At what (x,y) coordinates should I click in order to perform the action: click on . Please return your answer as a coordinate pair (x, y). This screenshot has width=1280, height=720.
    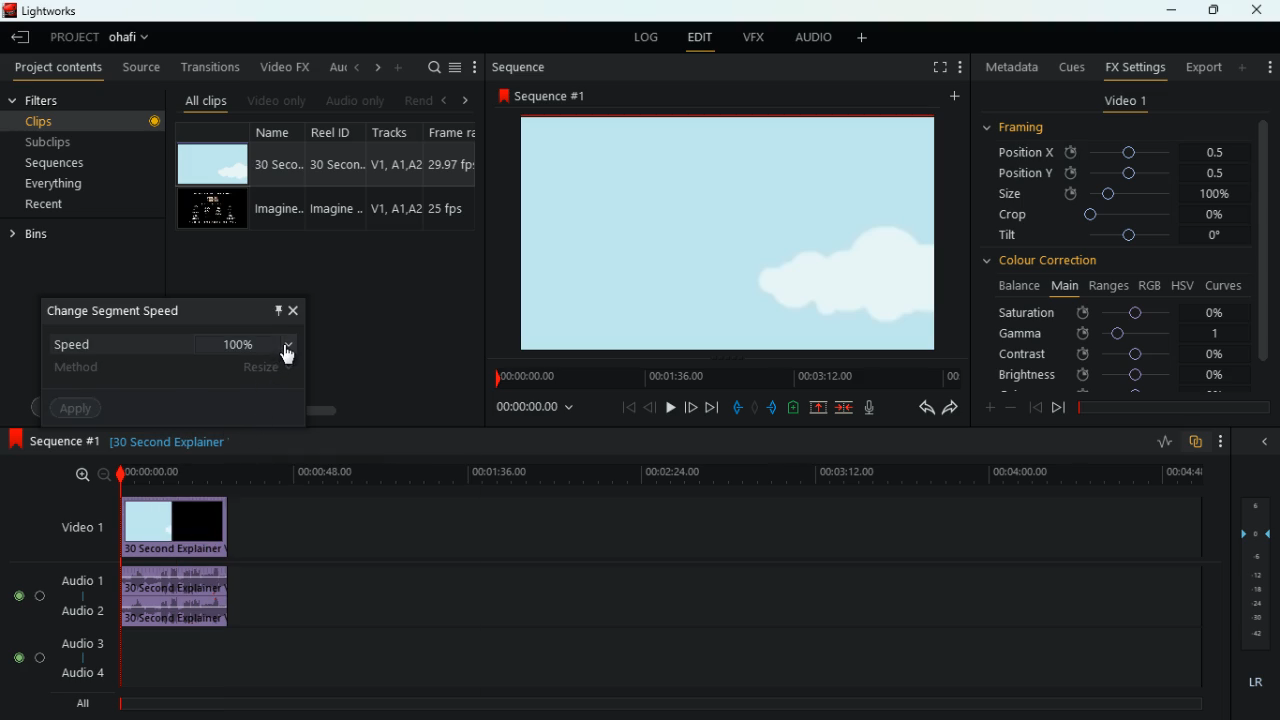
    Looking at the image, I should click on (1115, 237).